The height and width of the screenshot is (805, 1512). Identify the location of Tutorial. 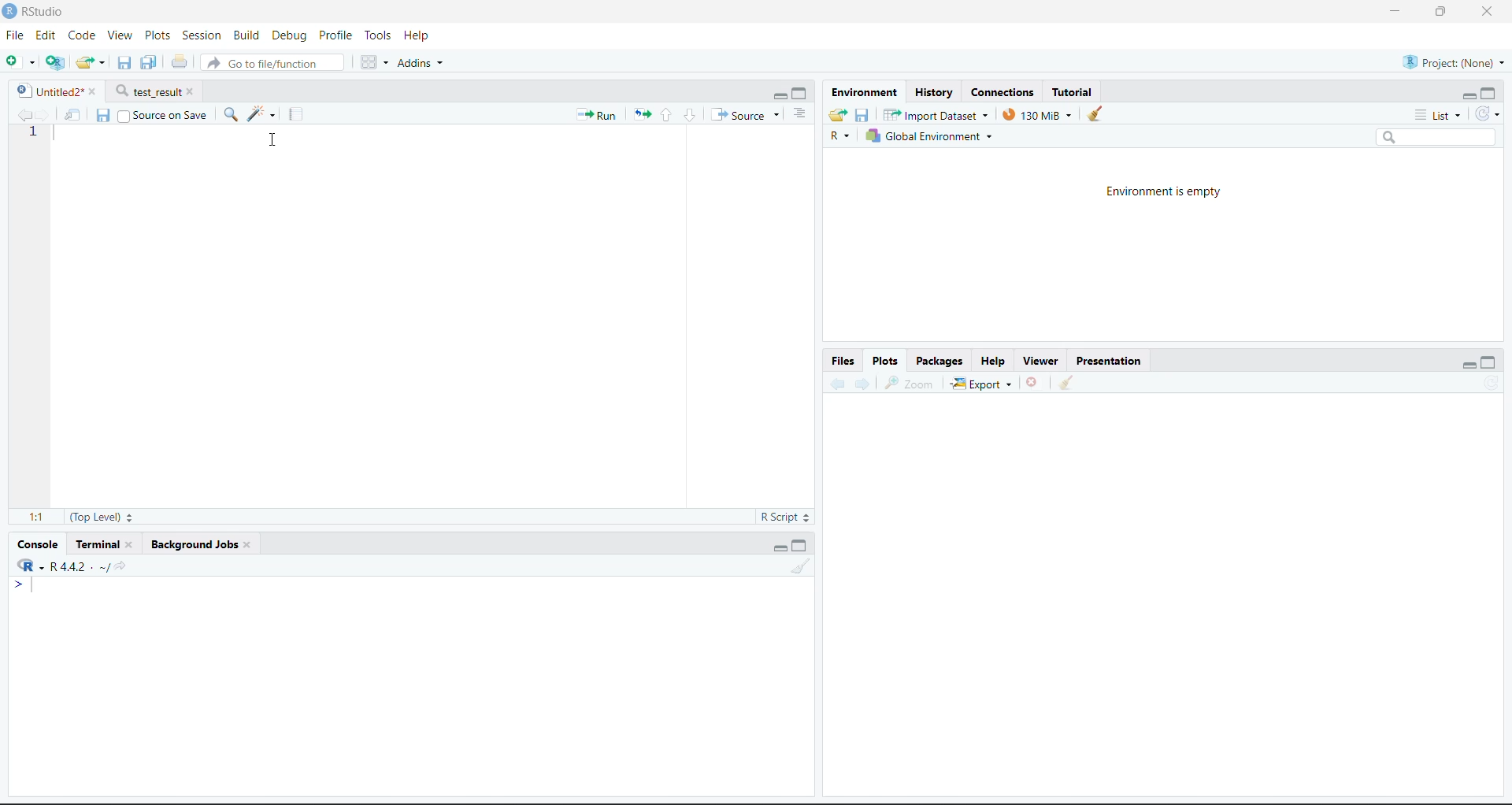
(1077, 90).